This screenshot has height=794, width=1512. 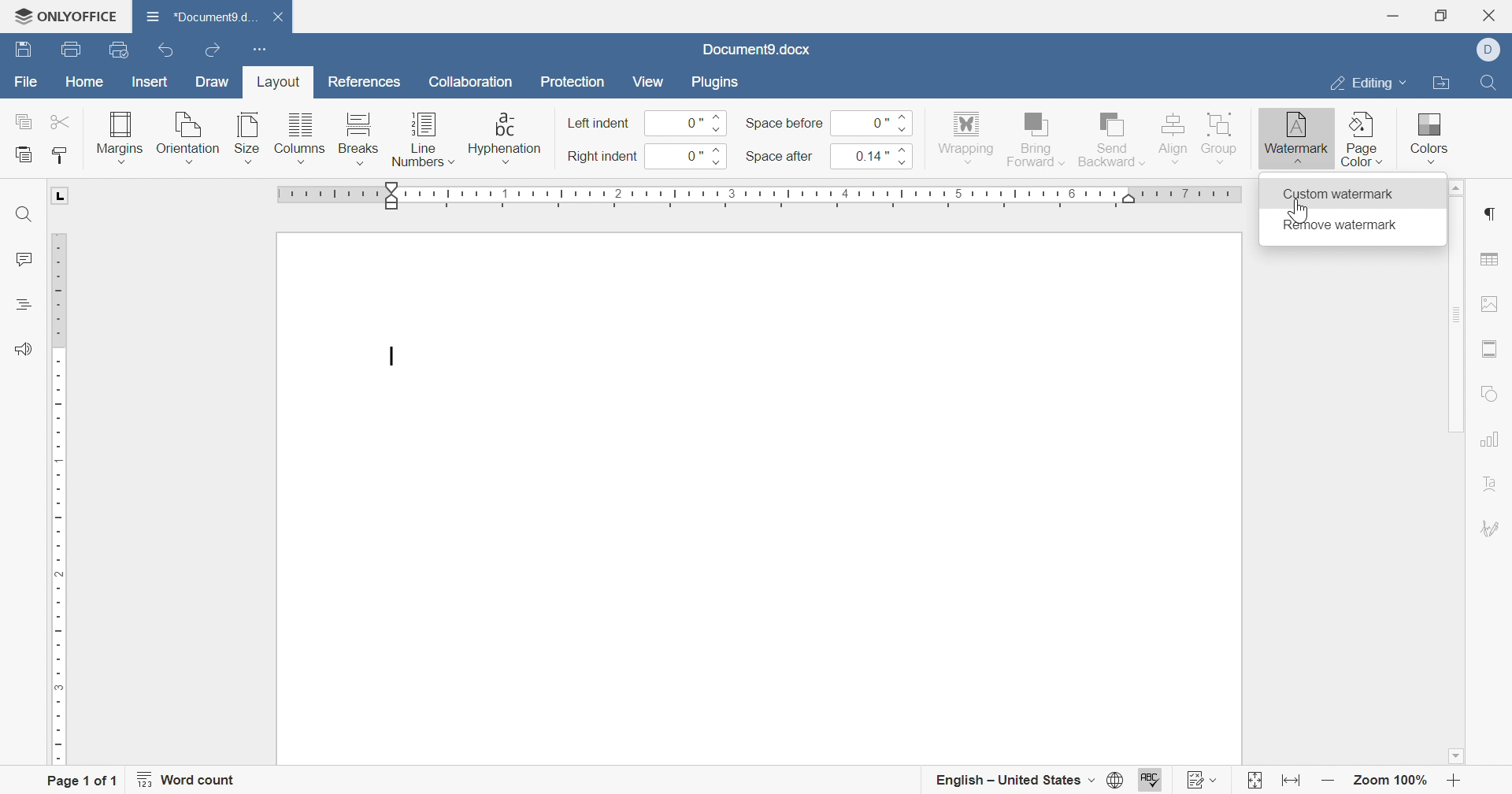 What do you see at coordinates (24, 215) in the screenshot?
I see `find` at bounding box center [24, 215].